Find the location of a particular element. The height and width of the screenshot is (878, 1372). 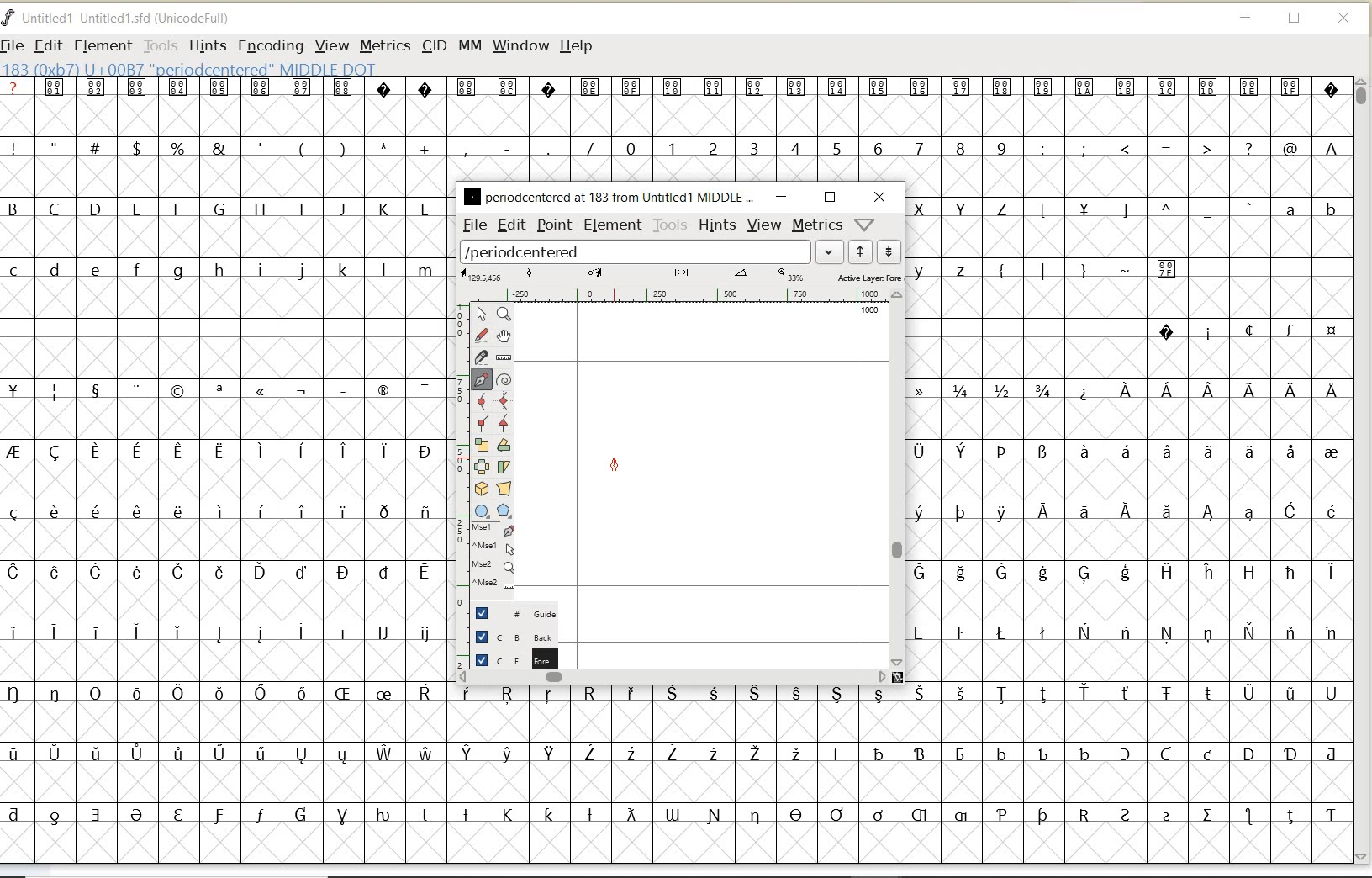

Add a corner point is located at coordinates (504, 421).